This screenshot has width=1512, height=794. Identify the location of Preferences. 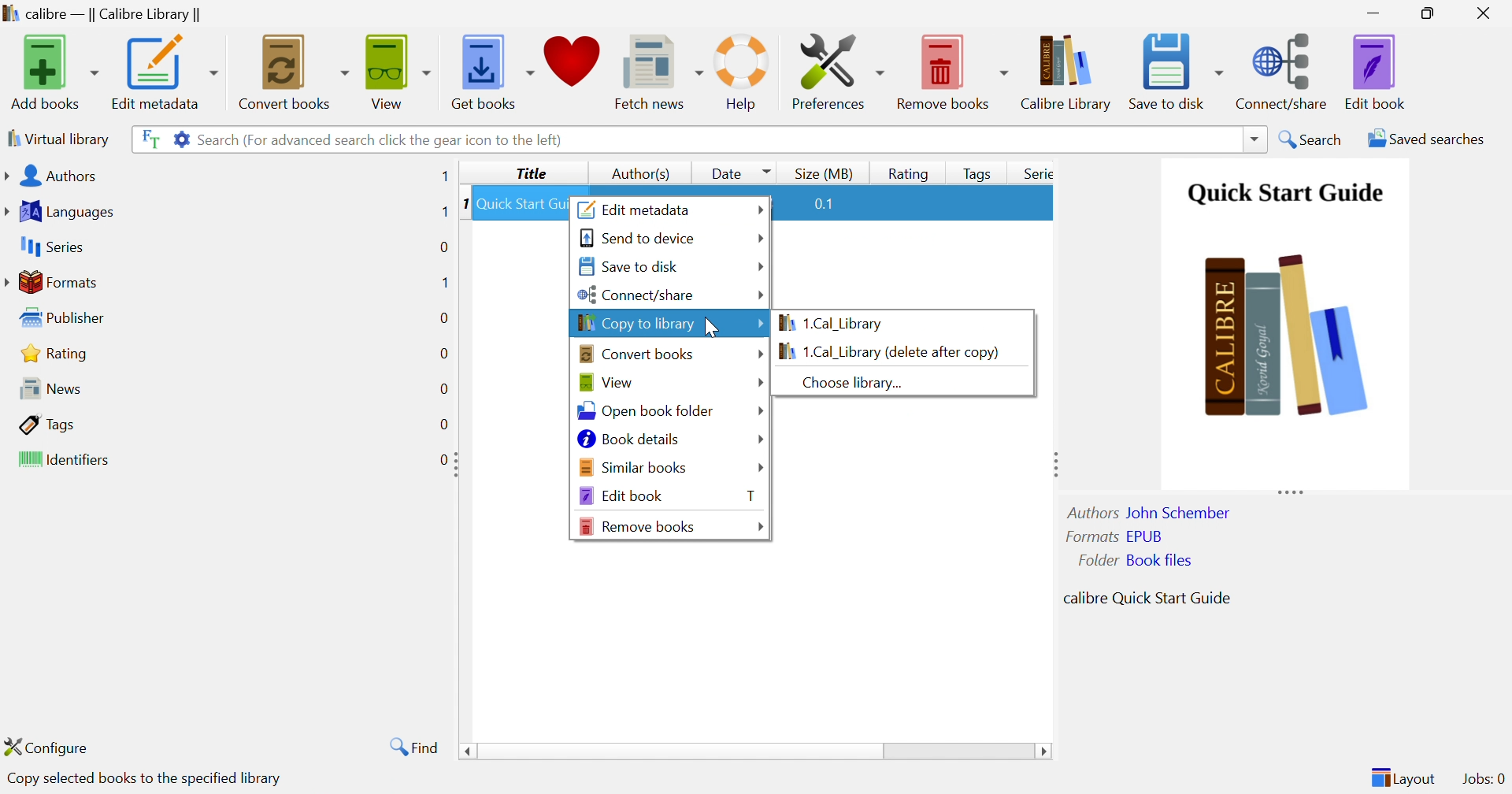
(837, 71).